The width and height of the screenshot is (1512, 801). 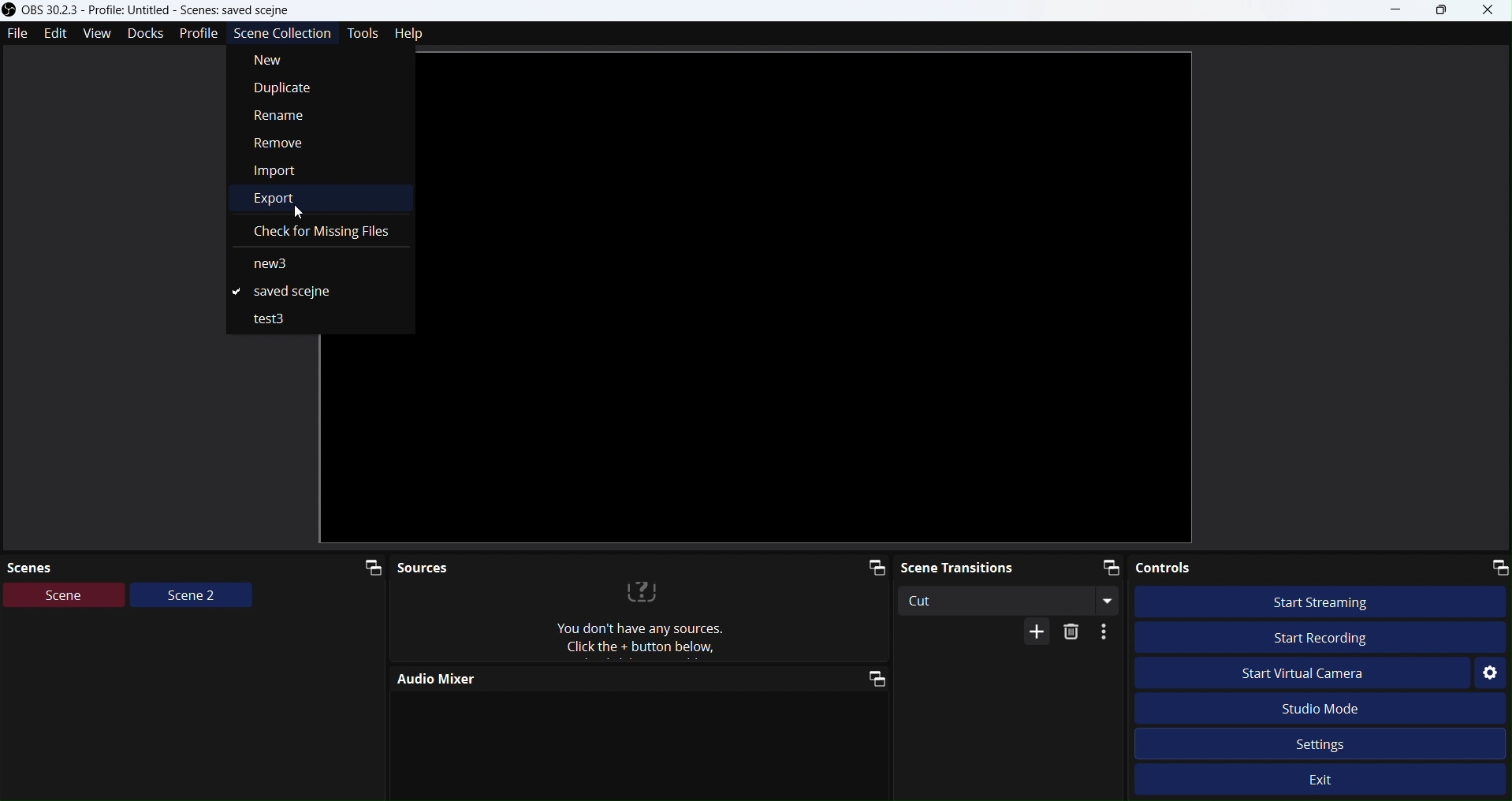 I want to click on Cut, so click(x=1014, y=600).